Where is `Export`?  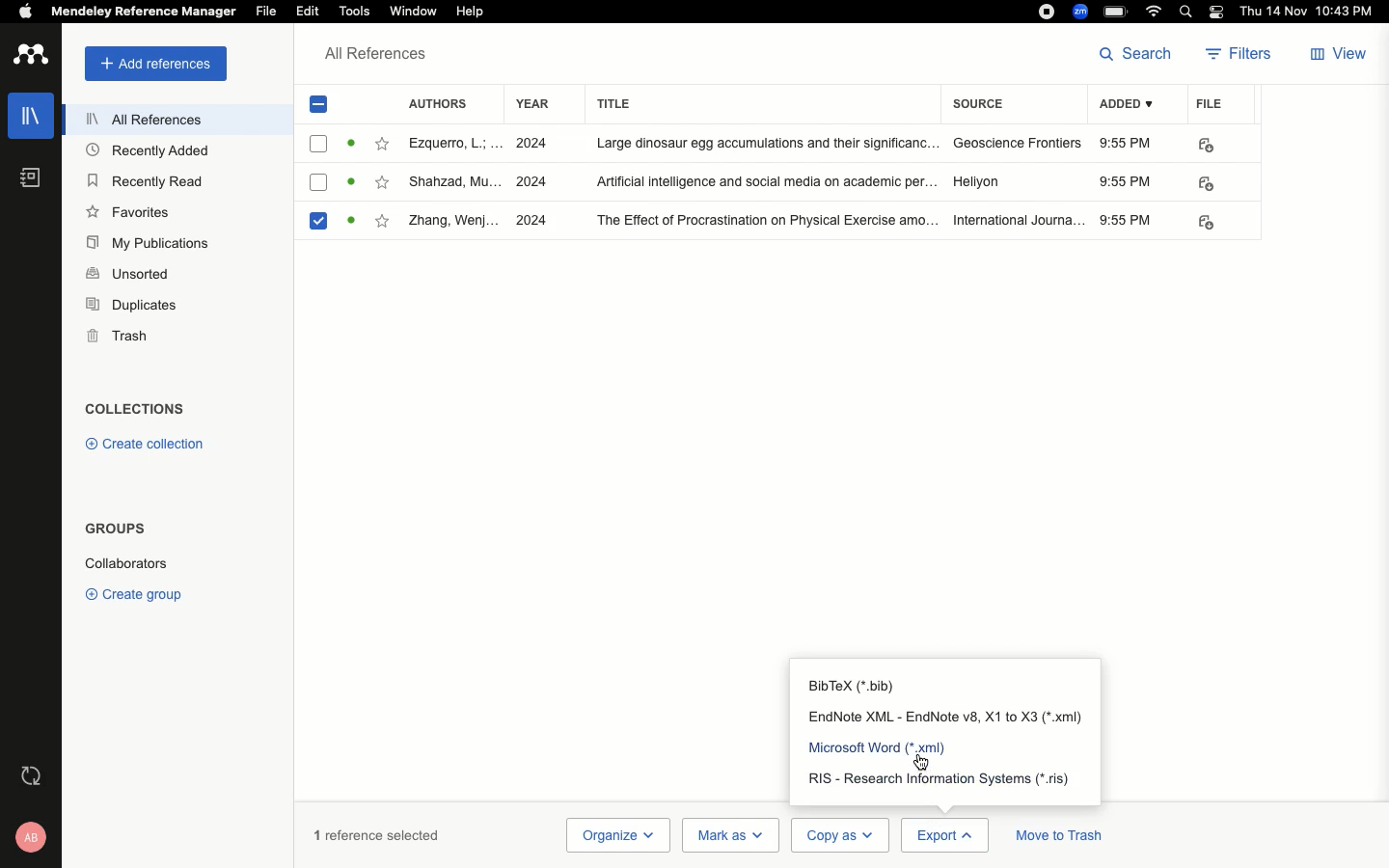 Export is located at coordinates (944, 835).